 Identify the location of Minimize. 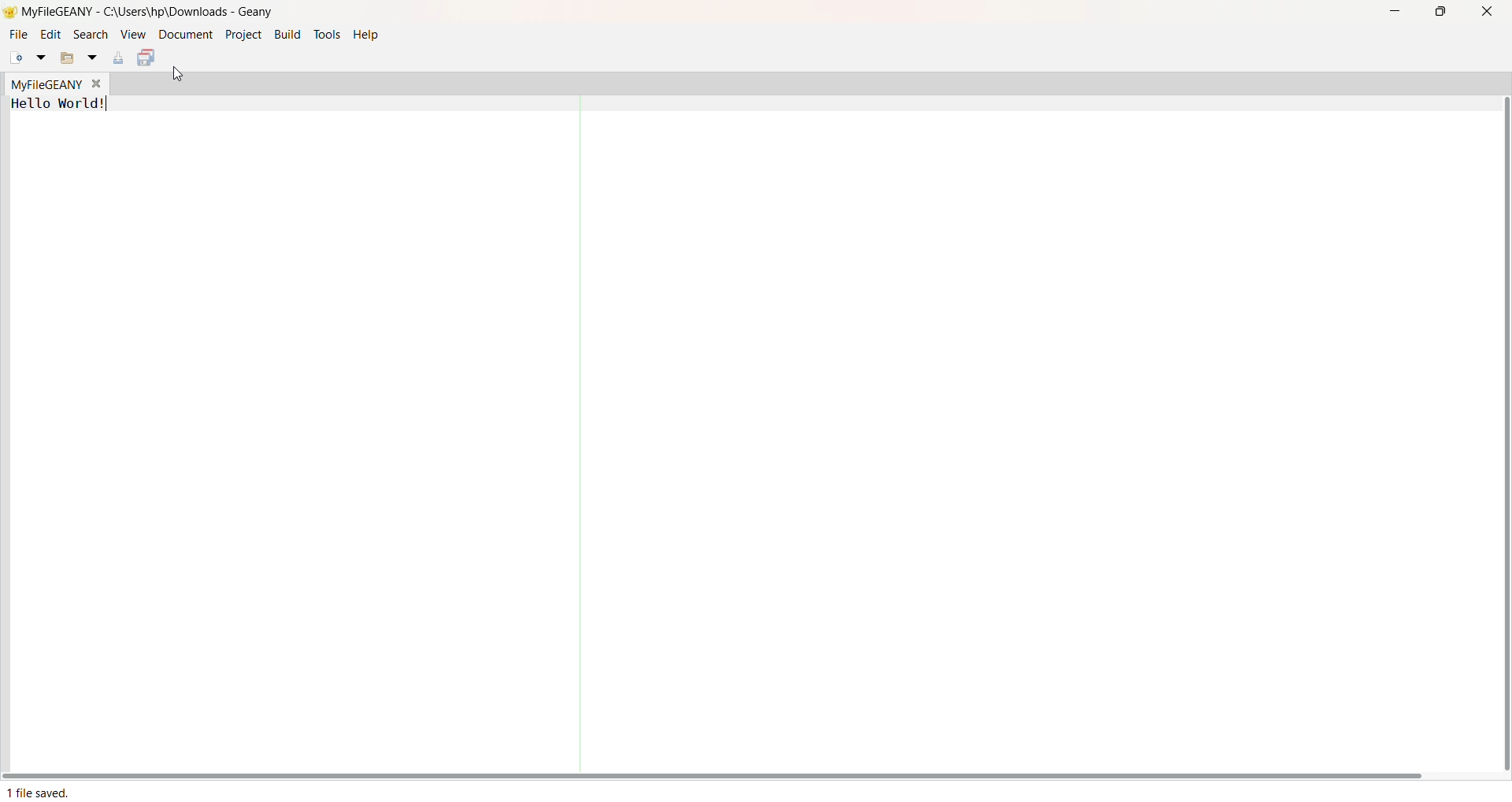
(1395, 12).